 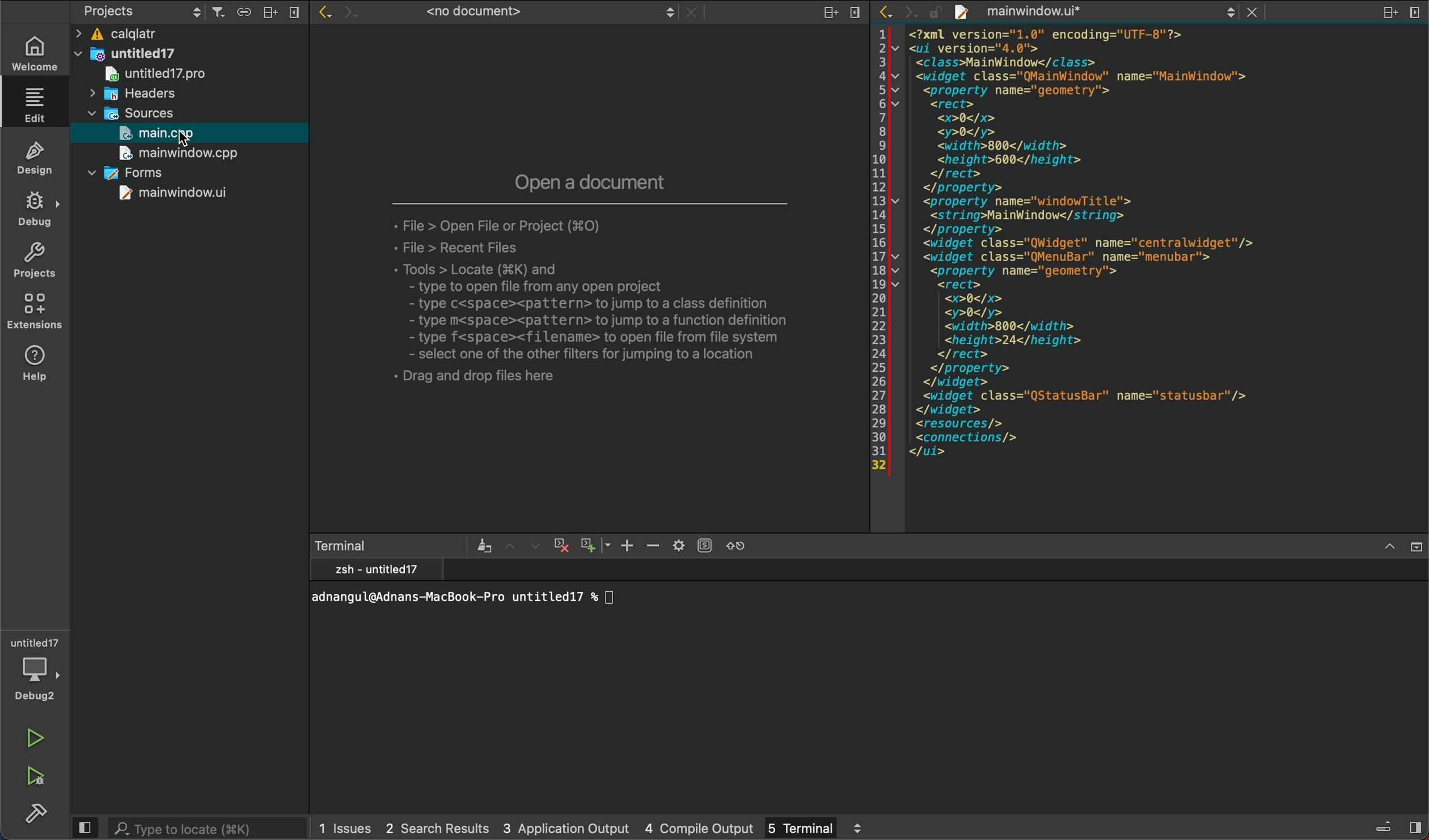 What do you see at coordinates (346, 827) in the screenshot?
I see `issues` at bounding box center [346, 827].